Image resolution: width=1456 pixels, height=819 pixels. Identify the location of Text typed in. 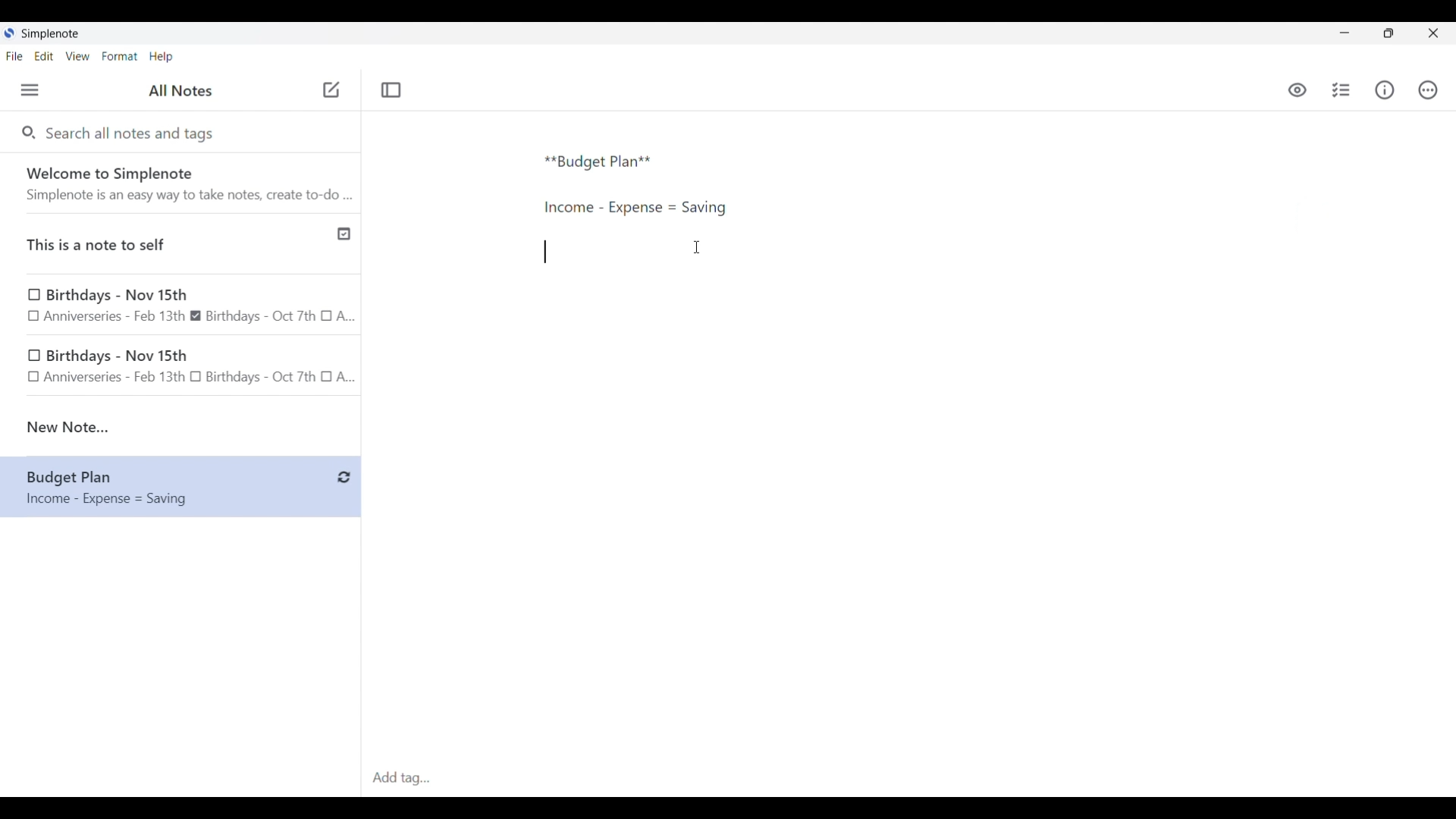
(598, 162).